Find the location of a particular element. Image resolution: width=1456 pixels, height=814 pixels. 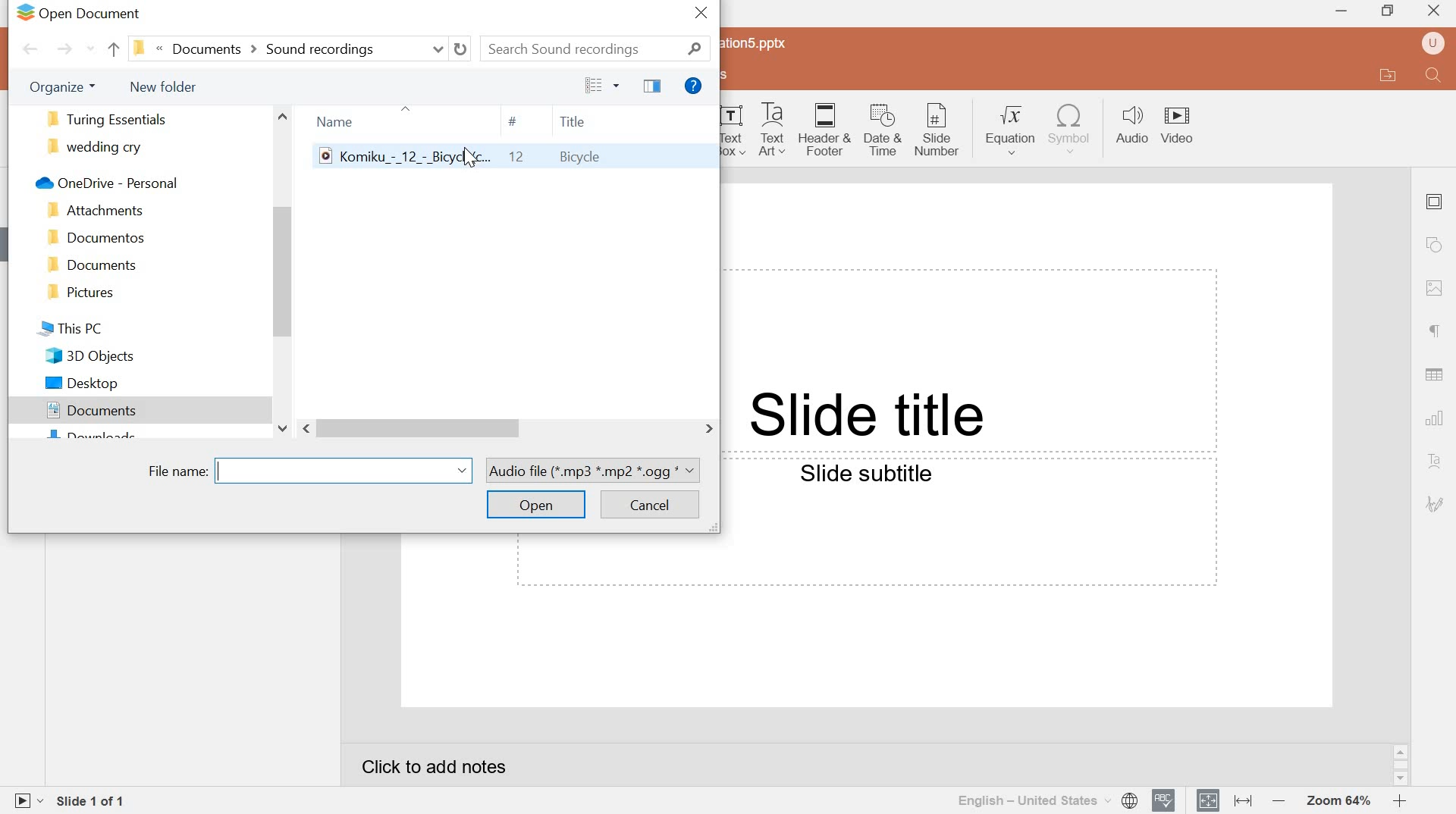

logo is located at coordinates (24, 13).